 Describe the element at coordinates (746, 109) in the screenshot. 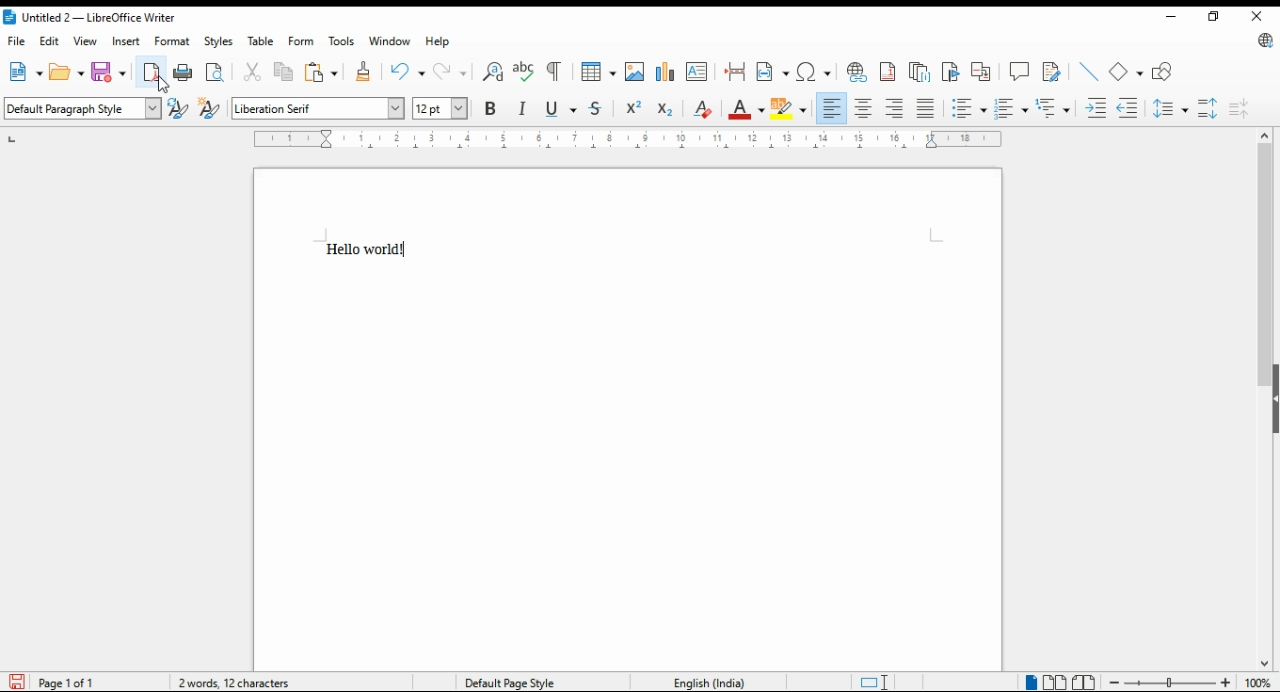

I see `font color` at that location.